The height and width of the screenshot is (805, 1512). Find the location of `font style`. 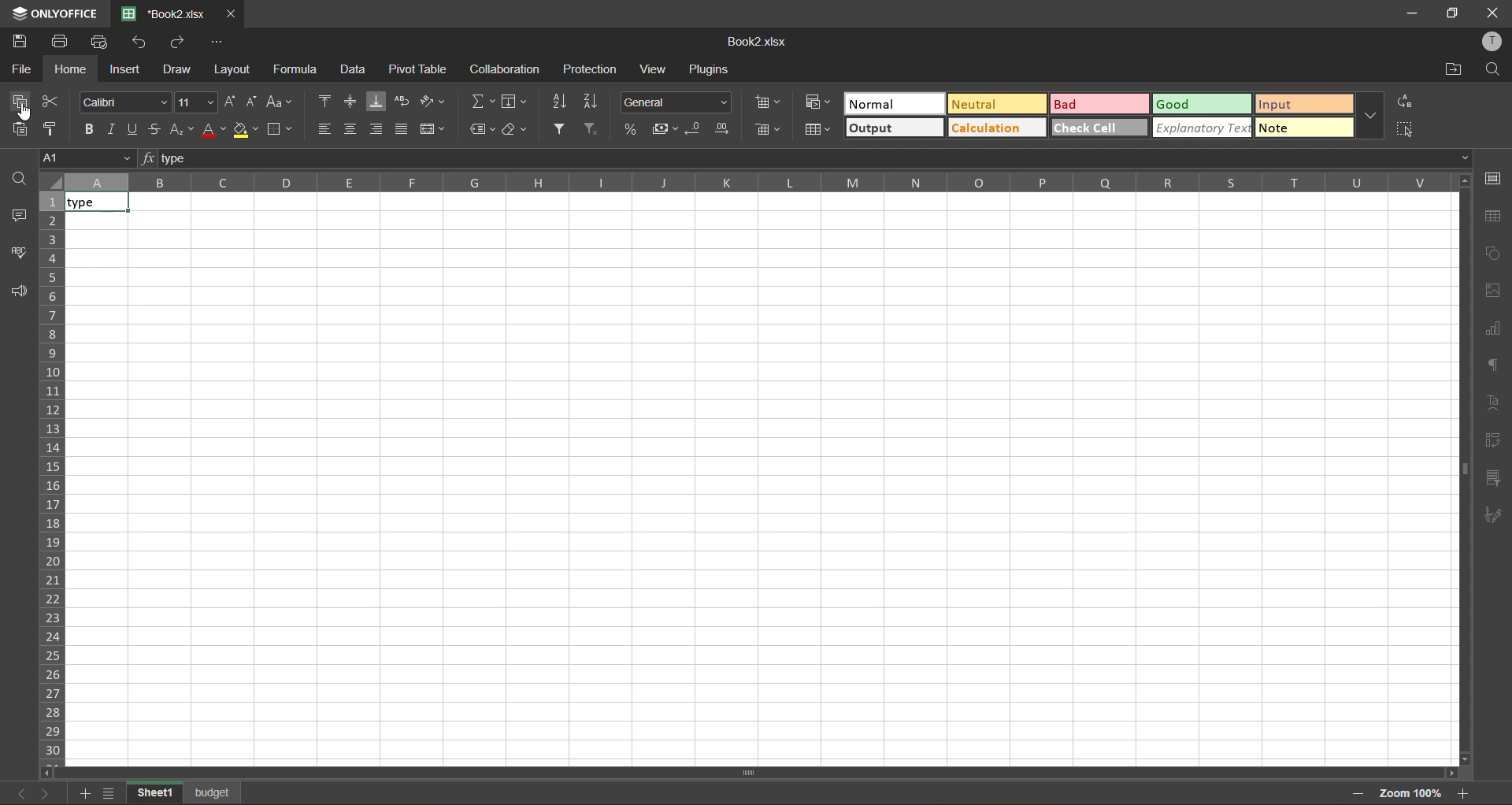

font style is located at coordinates (124, 101).